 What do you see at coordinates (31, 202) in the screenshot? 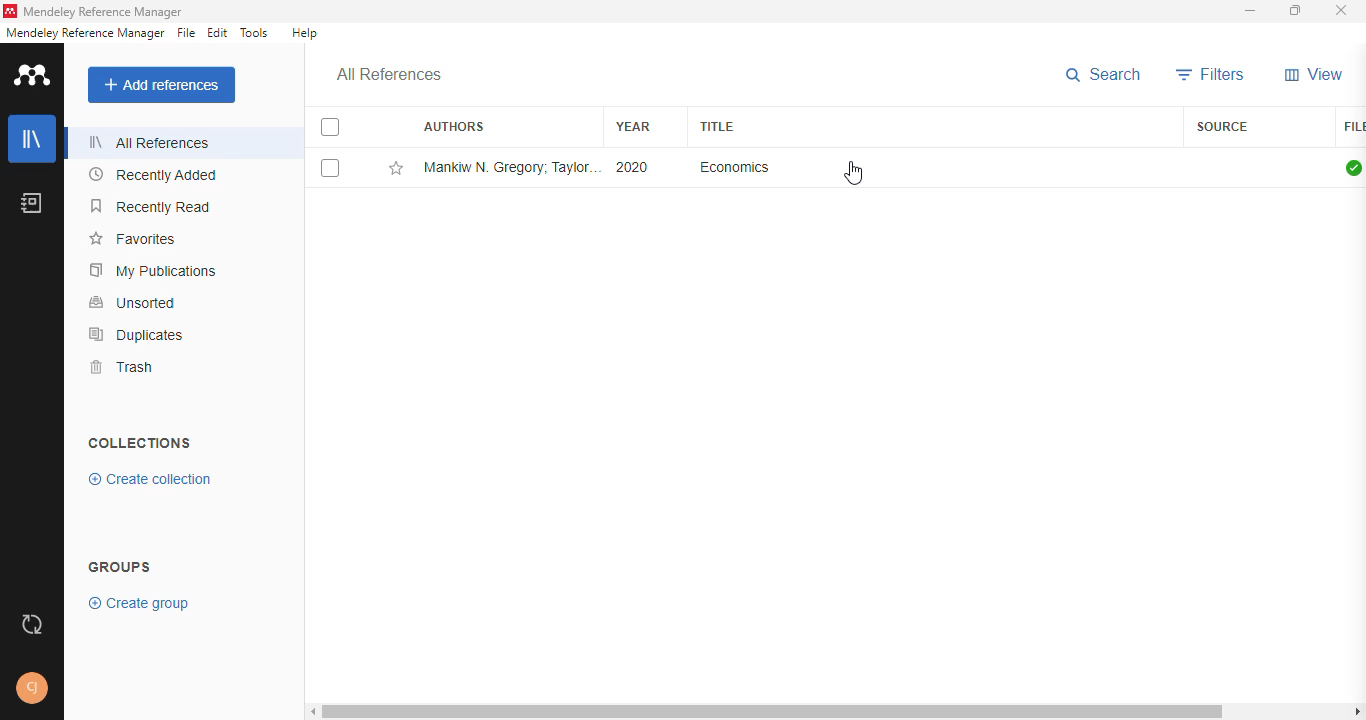
I see `notebook` at bounding box center [31, 202].